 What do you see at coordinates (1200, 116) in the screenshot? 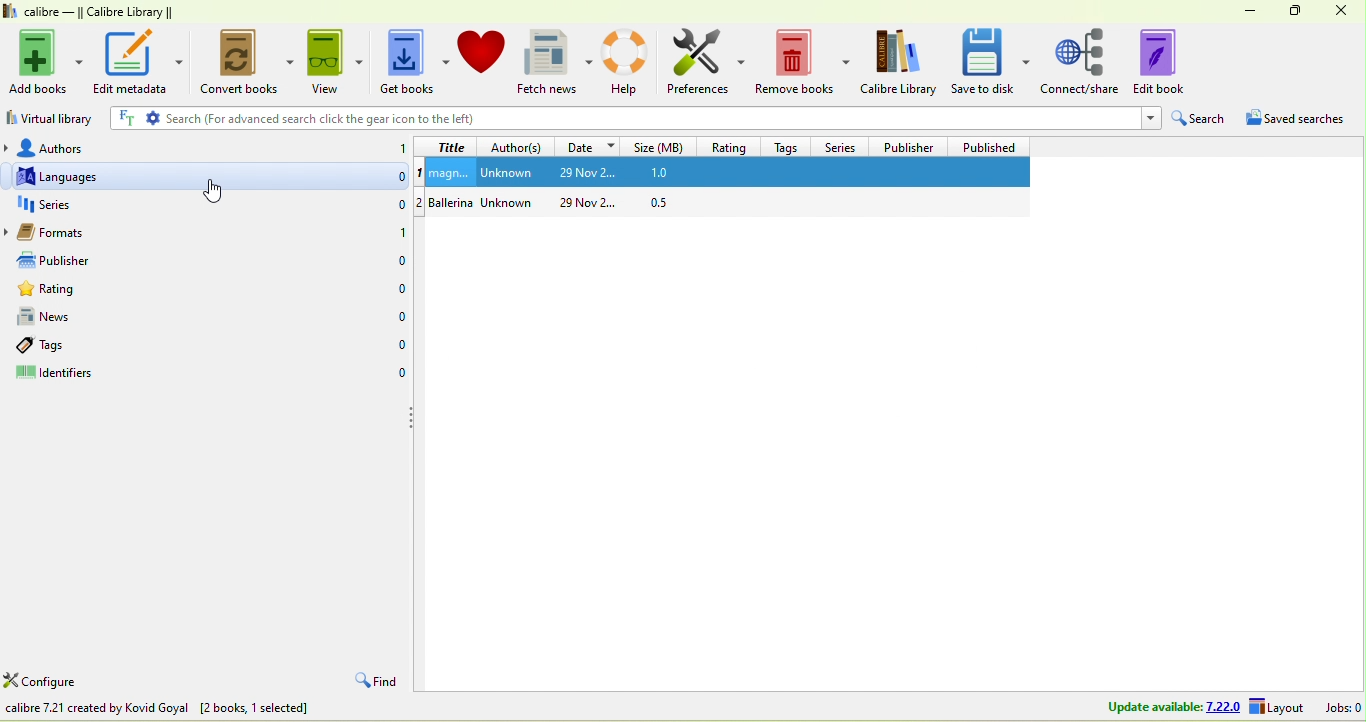
I see `search` at bounding box center [1200, 116].